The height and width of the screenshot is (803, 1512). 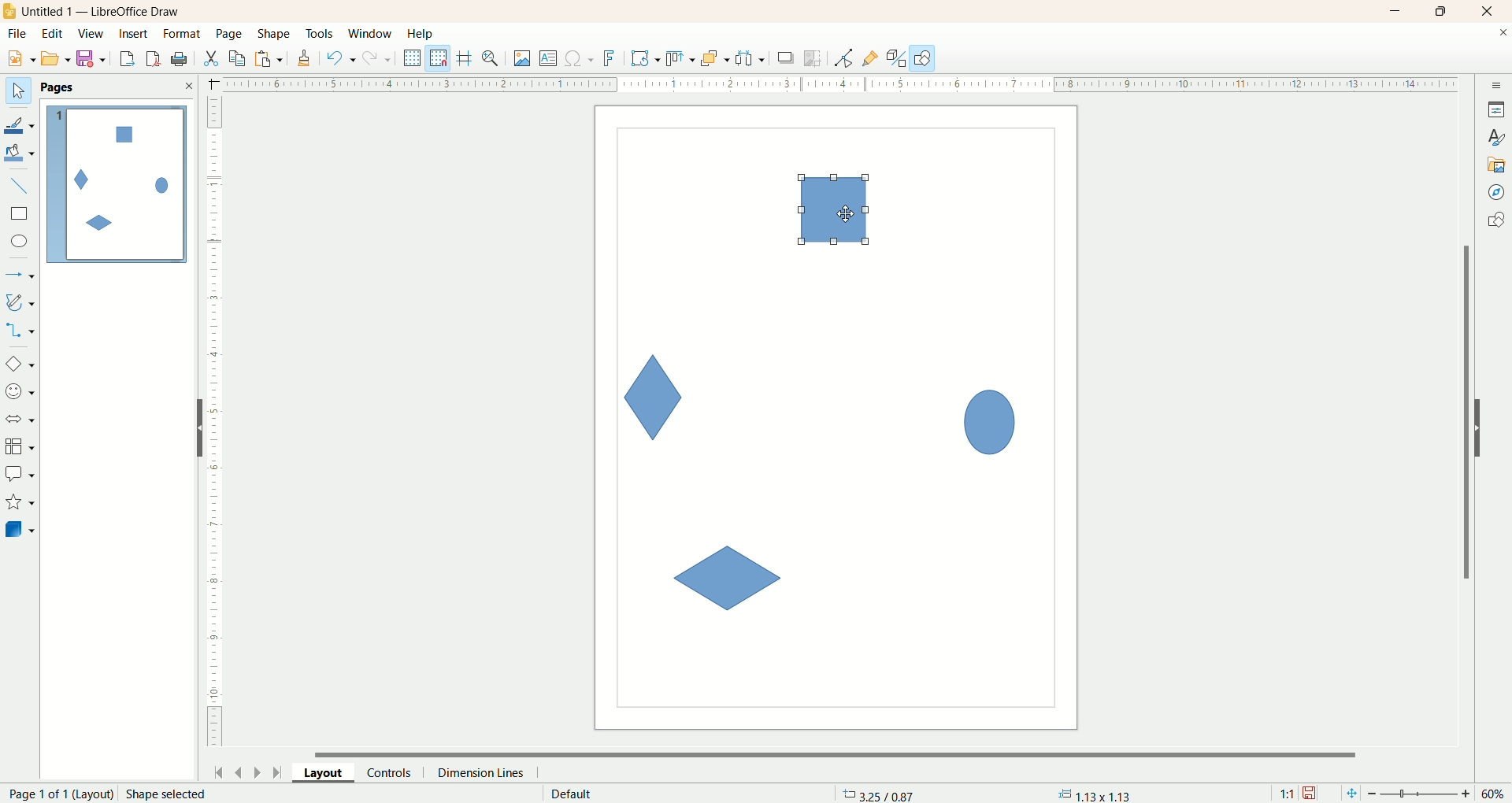 I want to click on unselected shape, so click(x=654, y=397).